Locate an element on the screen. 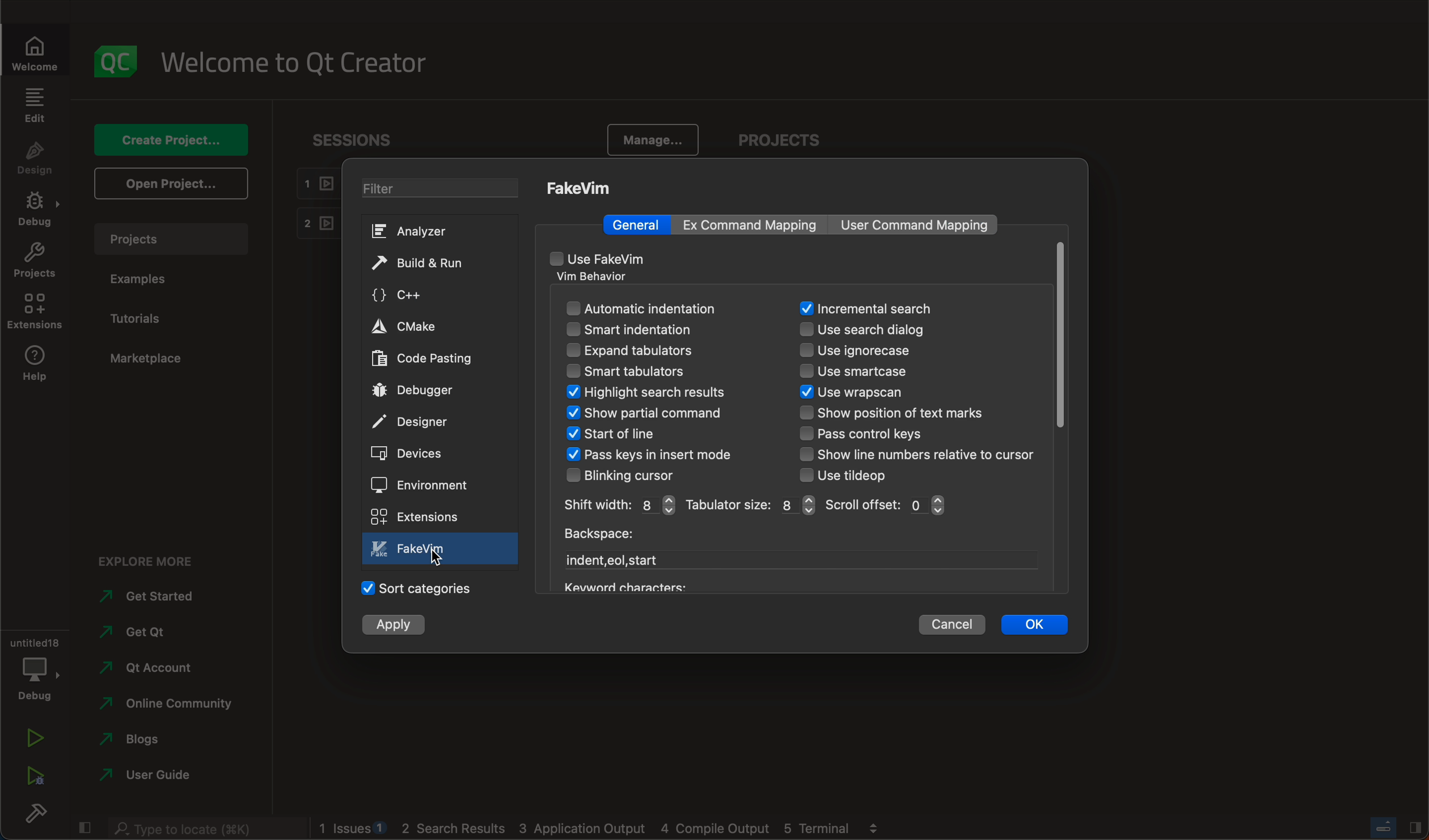 Image resolution: width=1429 pixels, height=840 pixels. blinking cursor is located at coordinates (629, 476).